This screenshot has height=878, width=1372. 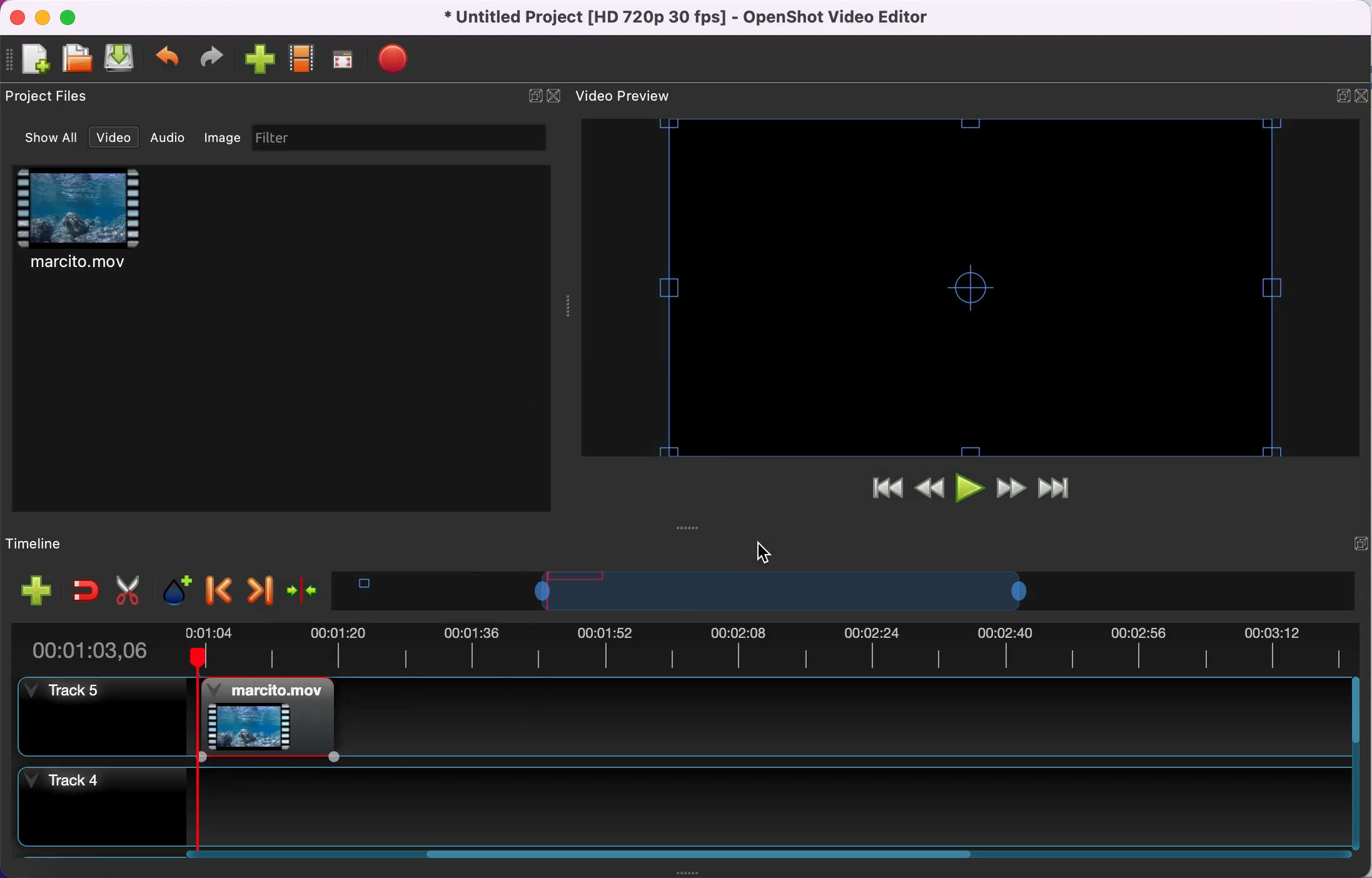 I want to click on track 4, so click(x=86, y=804).